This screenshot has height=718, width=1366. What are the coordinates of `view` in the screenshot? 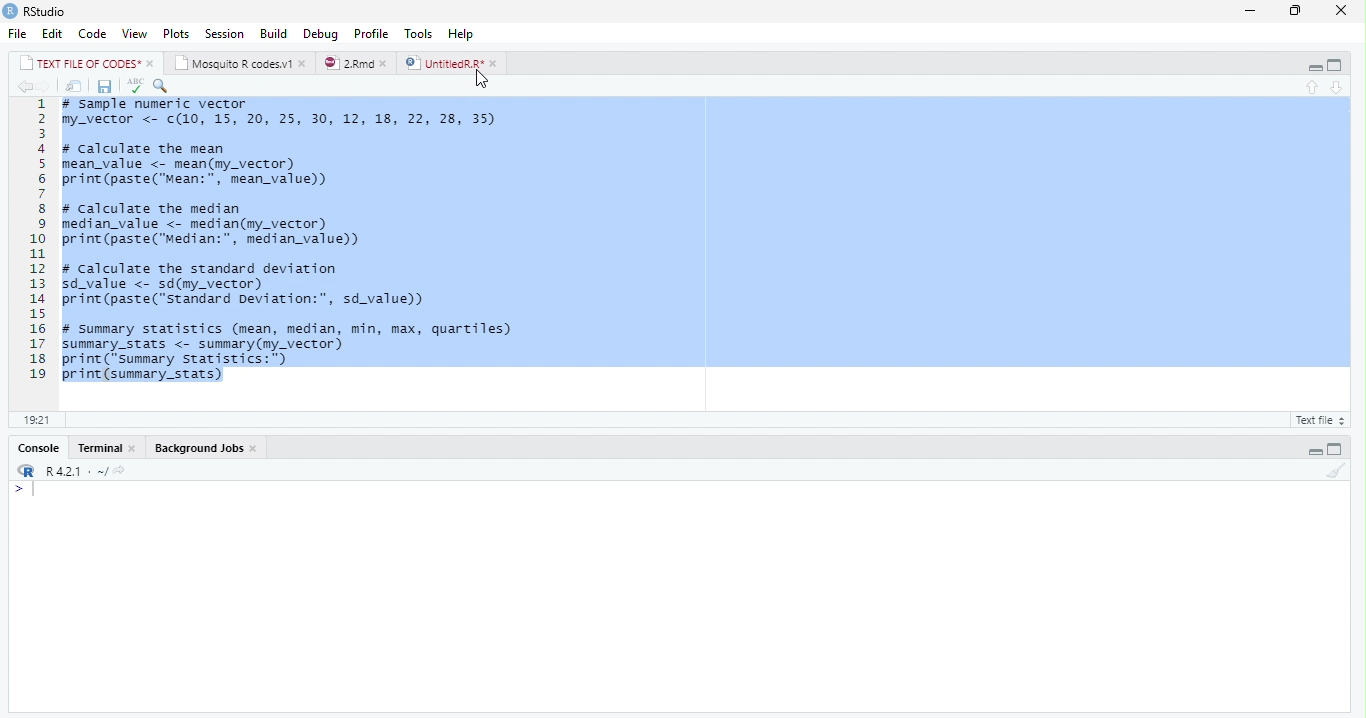 It's located at (135, 34).